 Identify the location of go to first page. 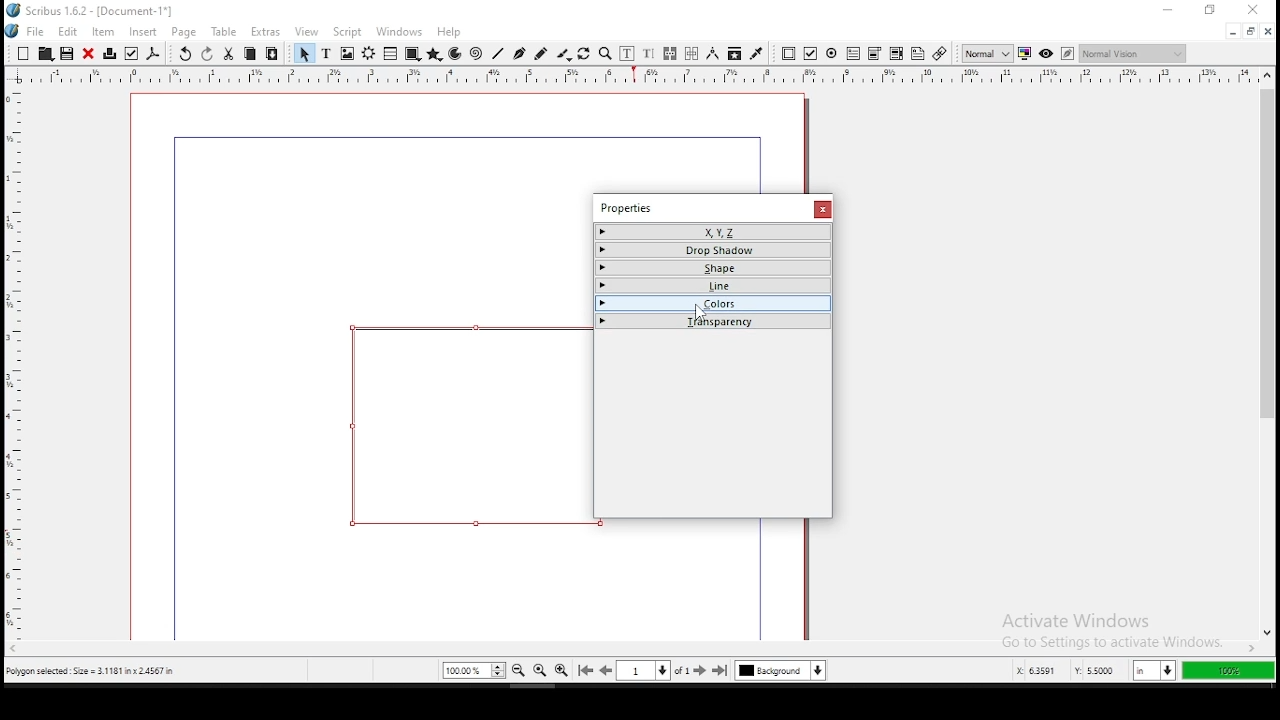
(585, 671).